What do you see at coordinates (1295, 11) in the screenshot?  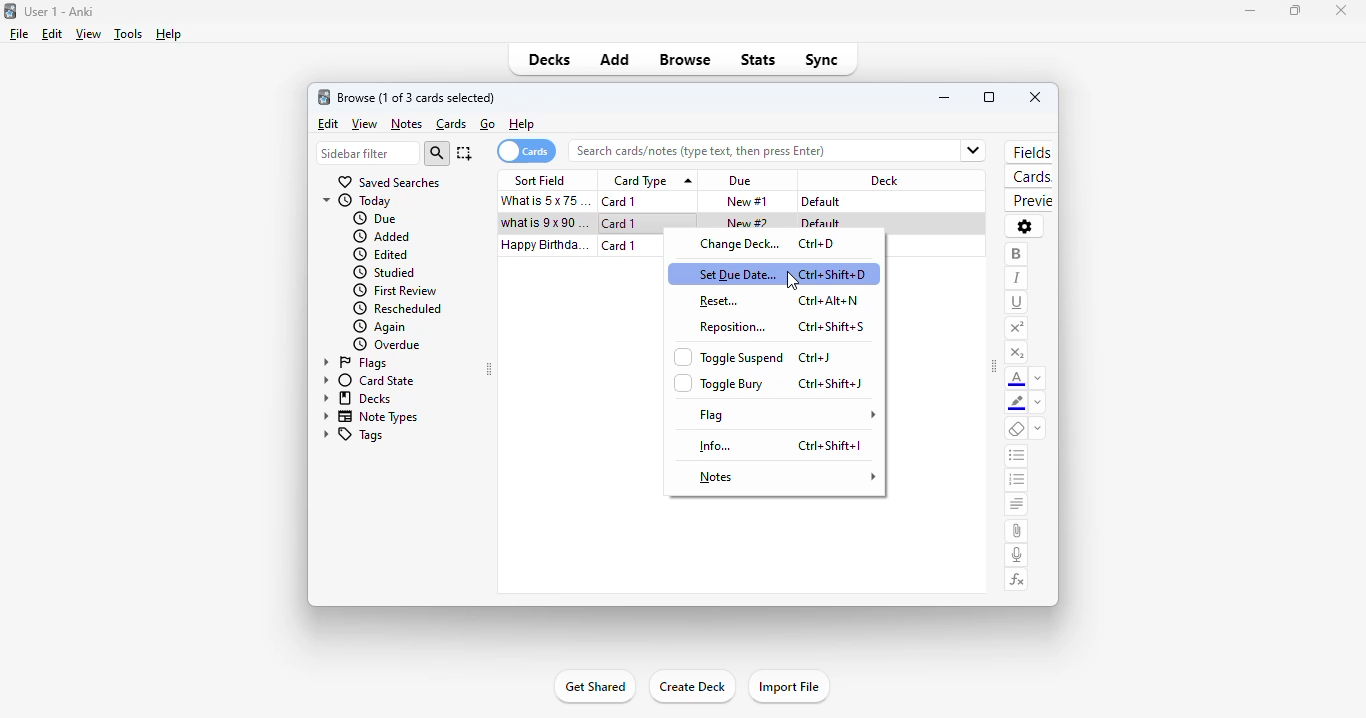 I see `maximize` at bounding box center [1295, 11].